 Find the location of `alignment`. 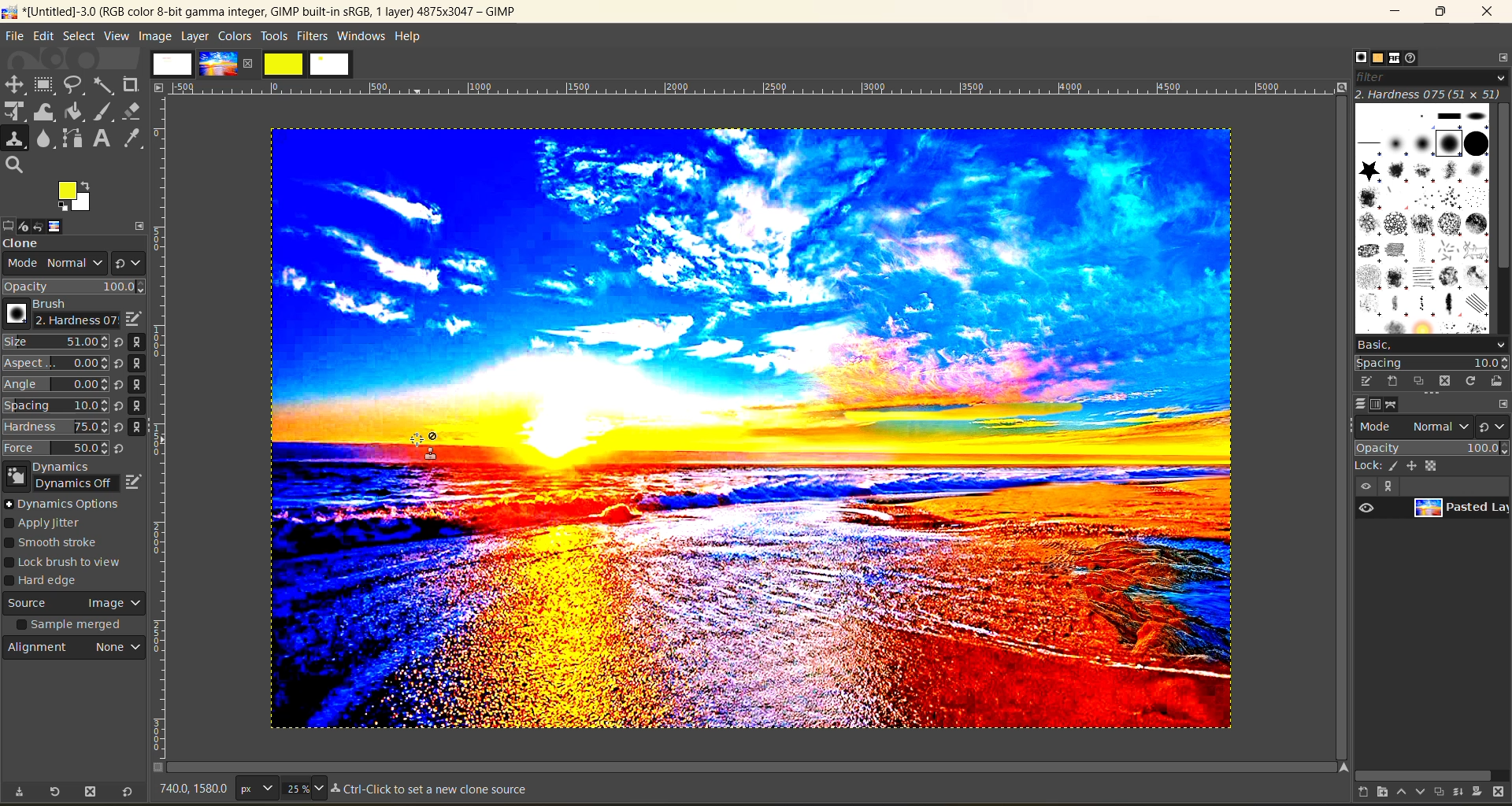

alignment is located at coordinates (76, 651).